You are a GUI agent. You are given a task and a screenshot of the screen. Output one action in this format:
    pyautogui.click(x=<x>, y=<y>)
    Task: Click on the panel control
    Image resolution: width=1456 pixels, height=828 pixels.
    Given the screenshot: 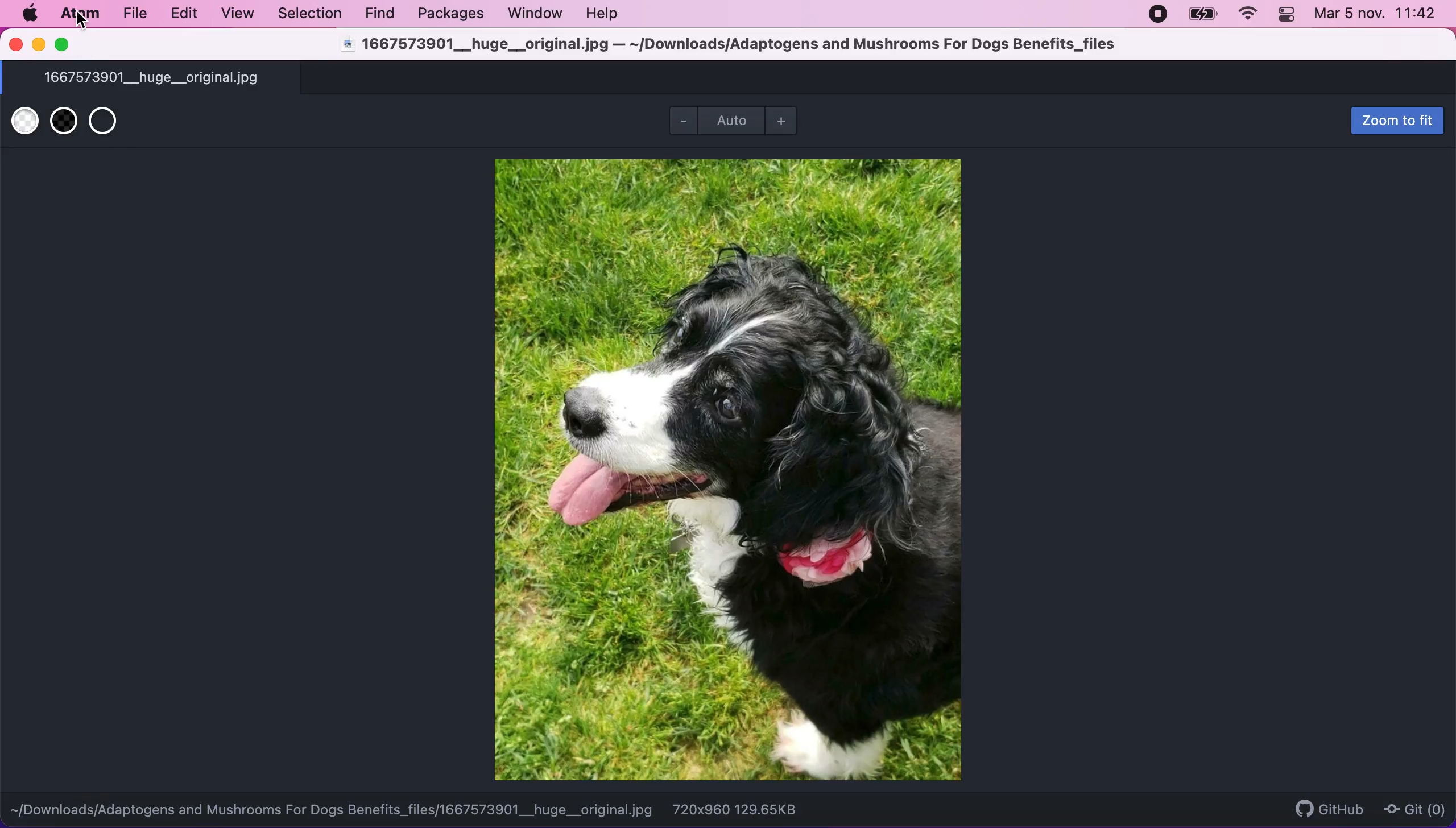 What is the action you would take?
    pyautogui.click(x=1286, y=15)
    